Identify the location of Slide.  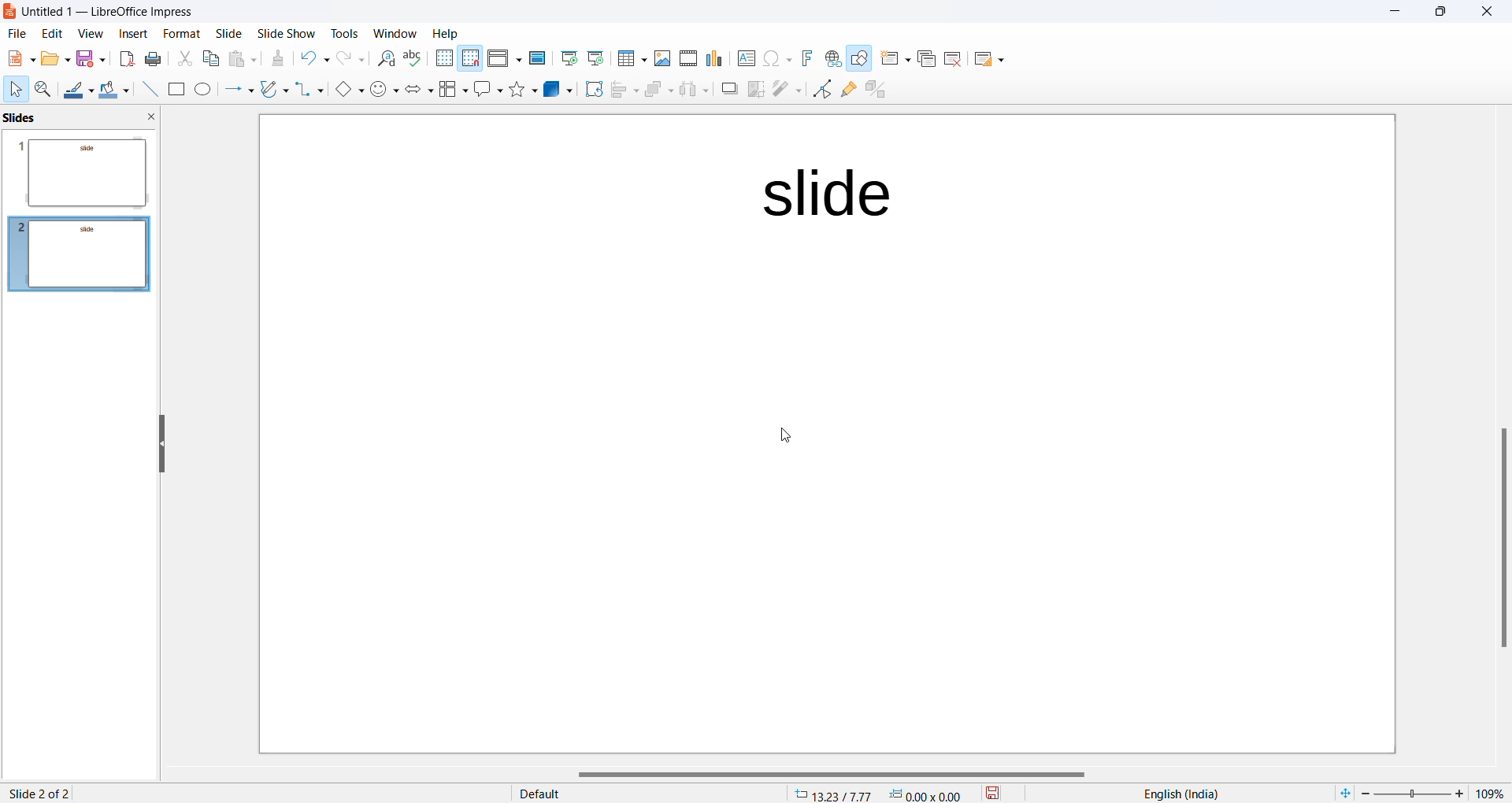
(229, 34).